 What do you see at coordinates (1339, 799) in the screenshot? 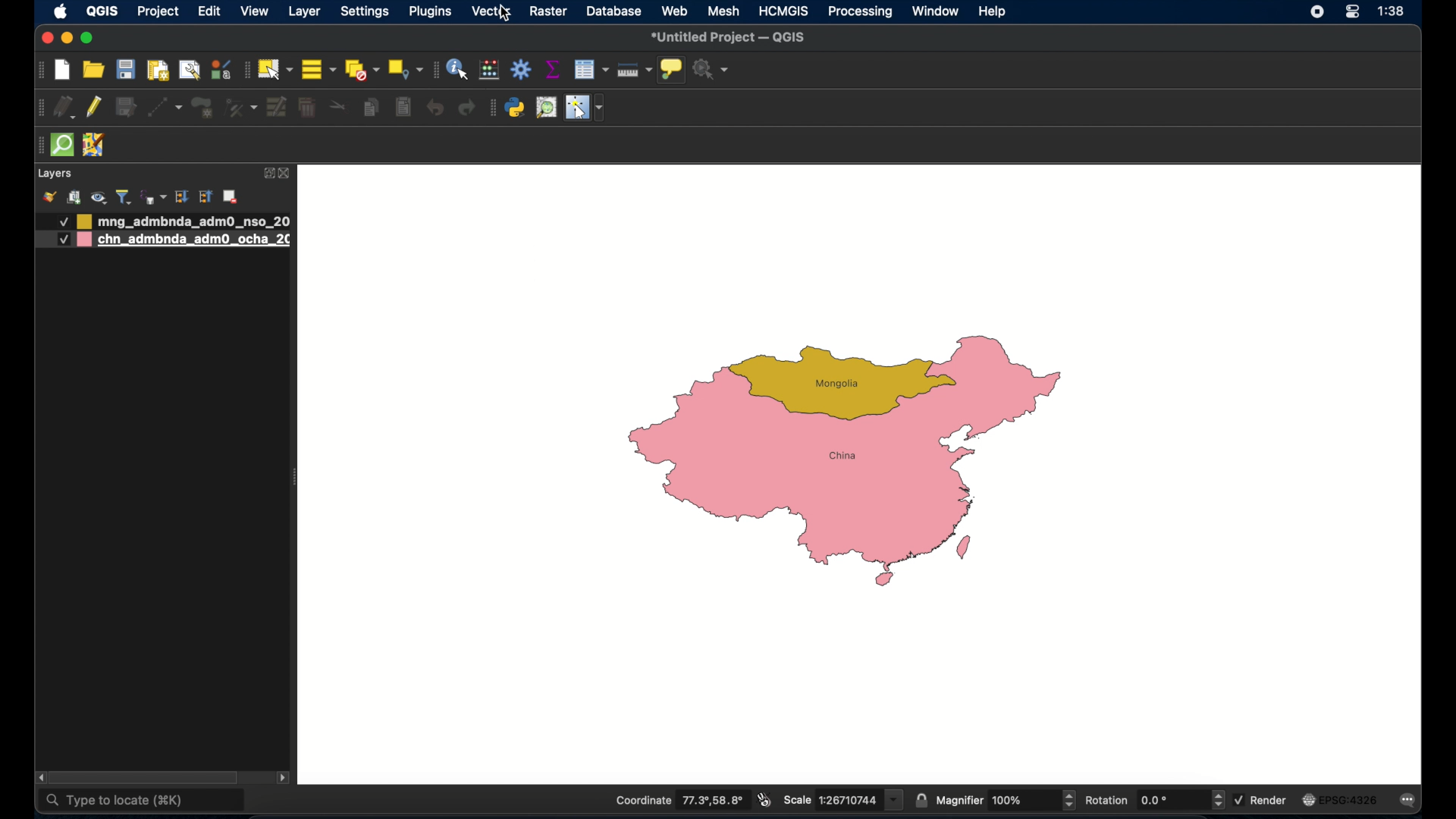
I see `EPSG: 4326` at bounding box center [1339, 799].